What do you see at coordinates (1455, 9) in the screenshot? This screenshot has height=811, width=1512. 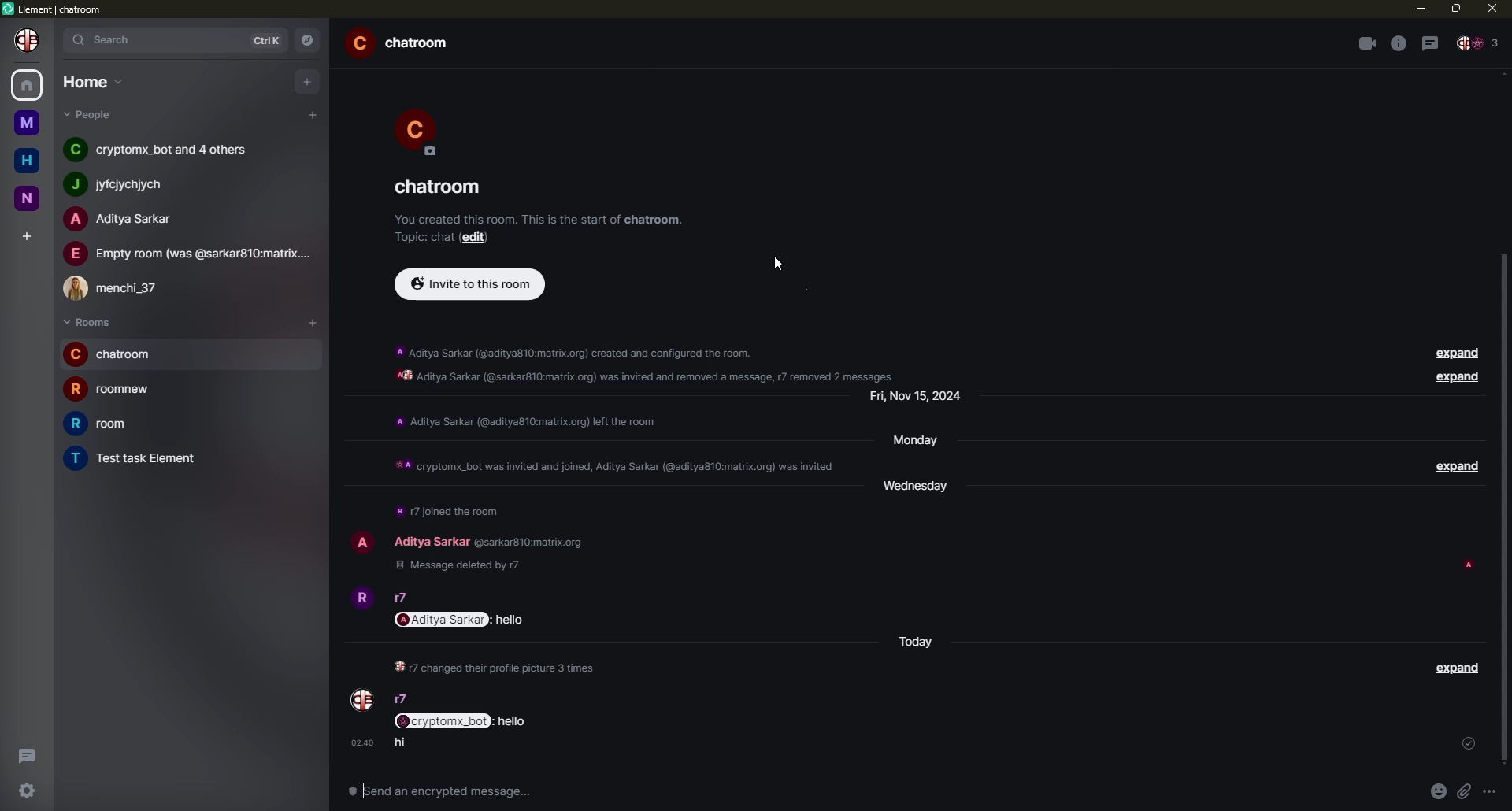 I see `max` at bounding box center [1455, 9].